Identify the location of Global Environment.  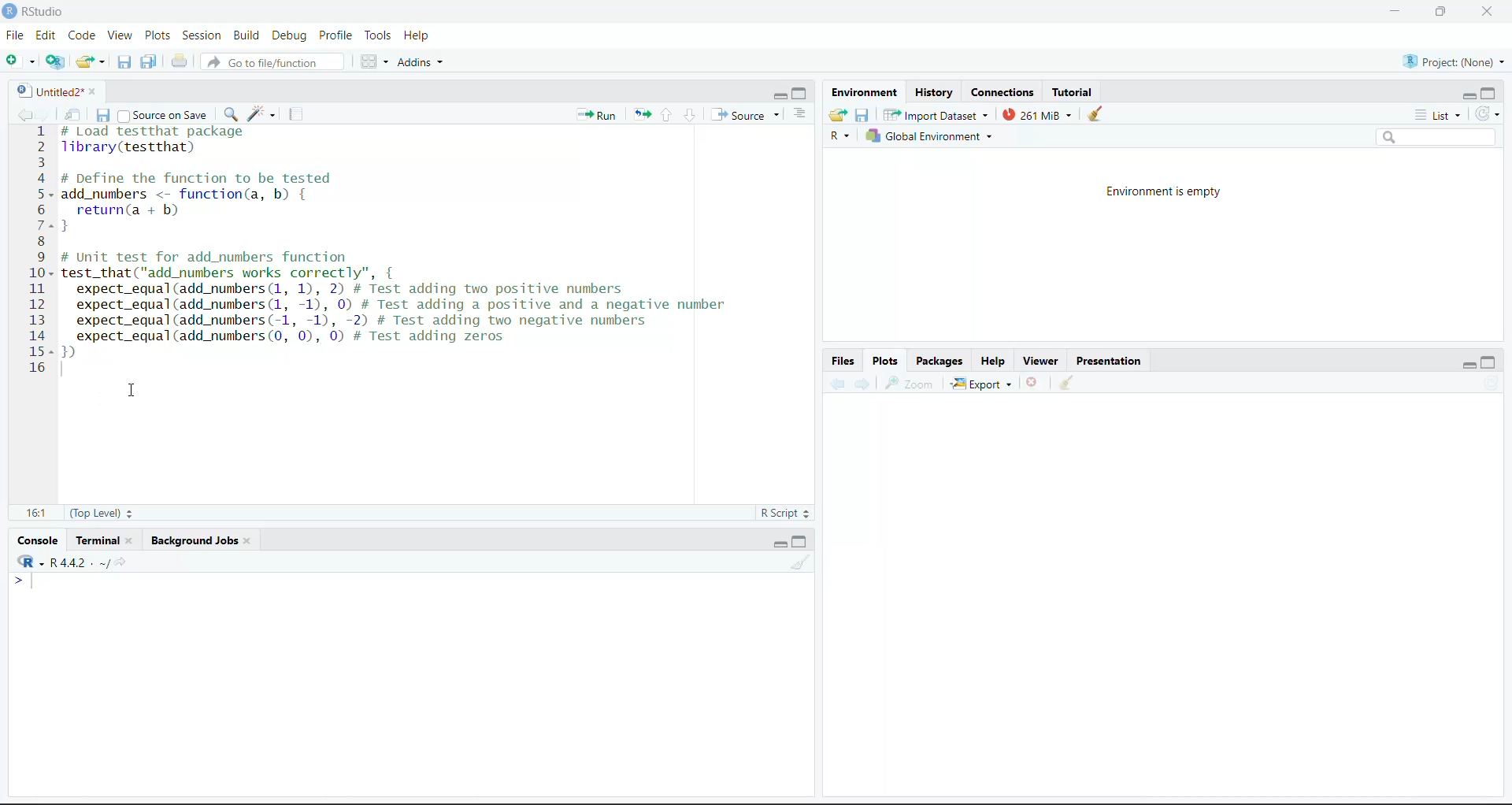
(930, 135).